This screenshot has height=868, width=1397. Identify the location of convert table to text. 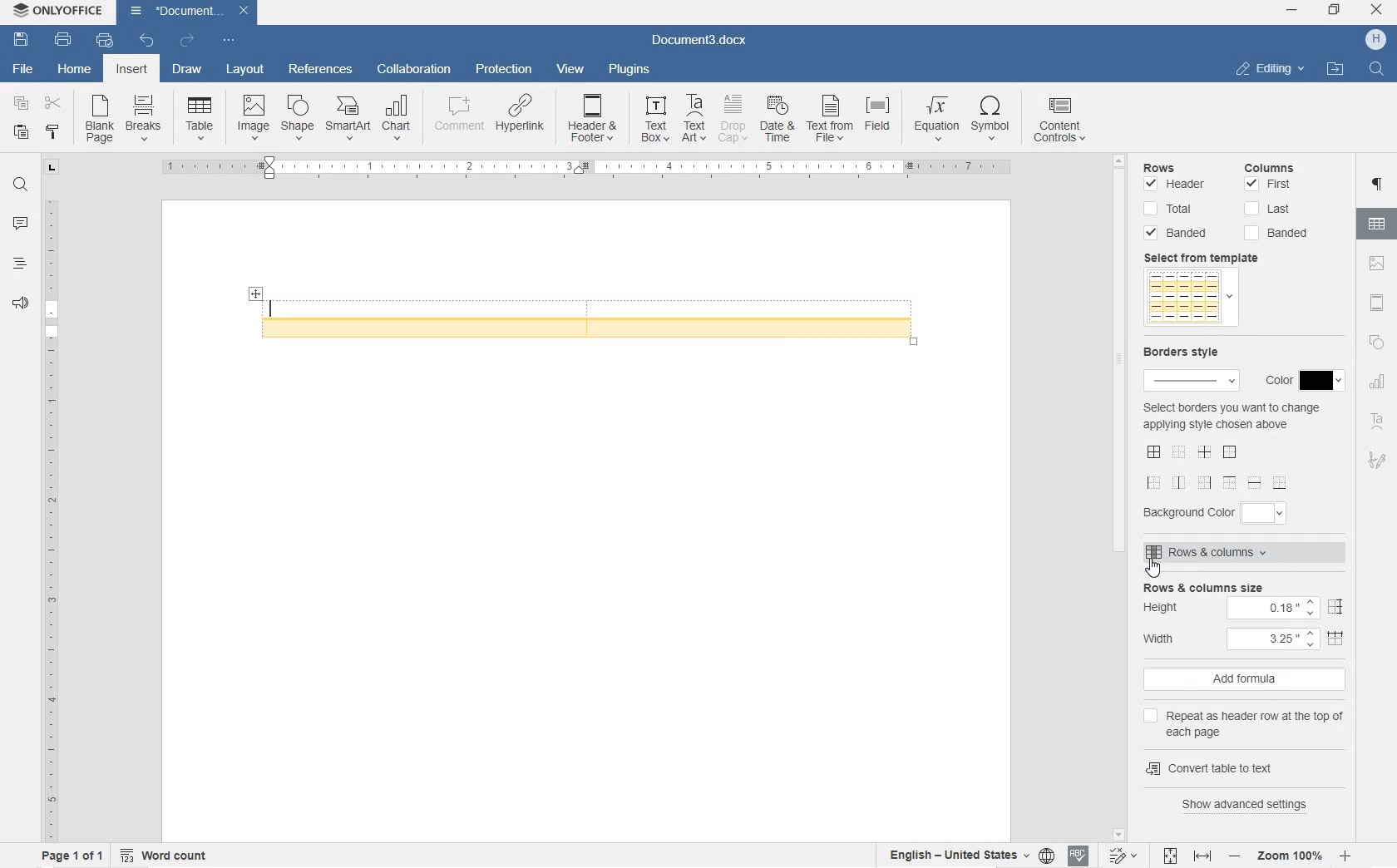
(1242, 766).